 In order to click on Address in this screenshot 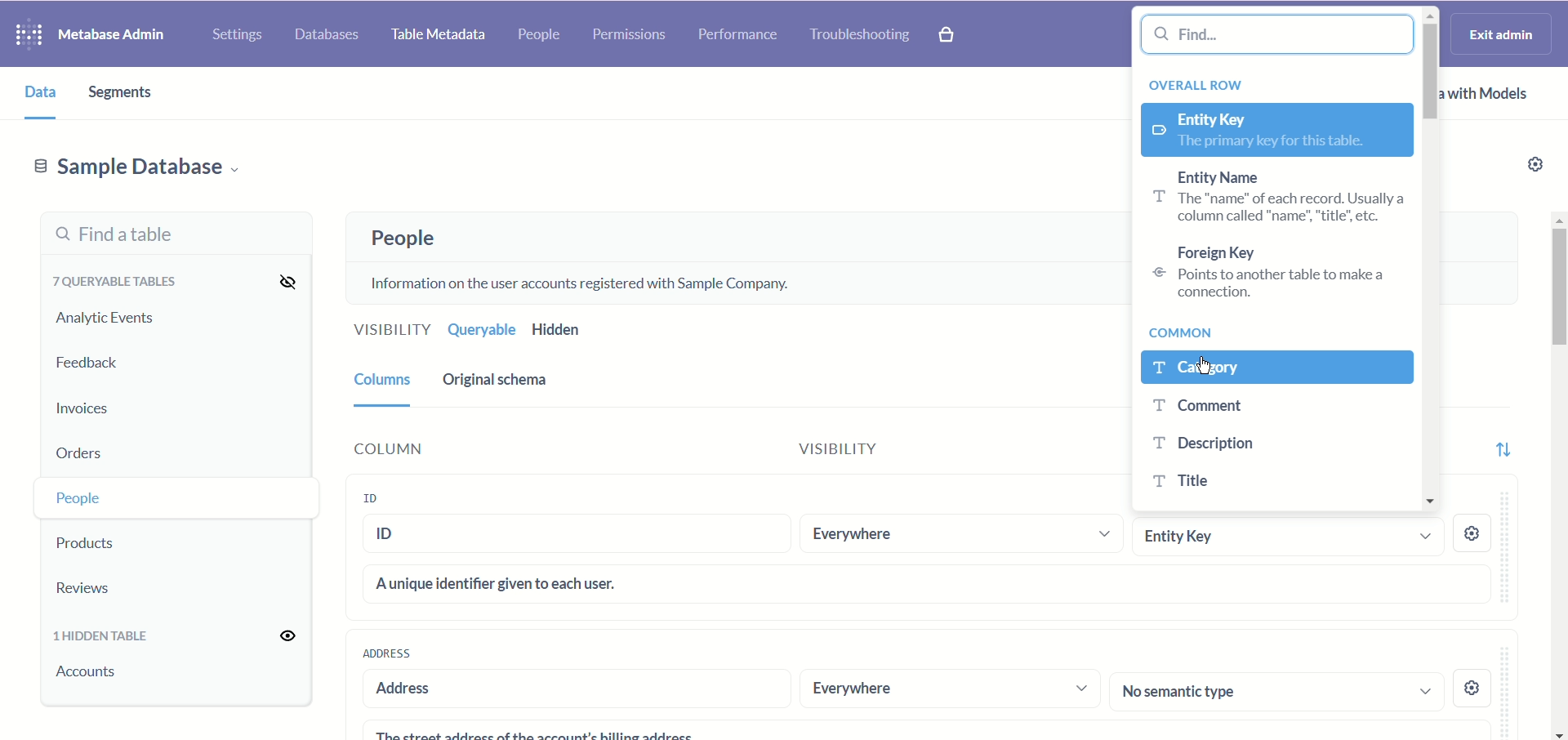, I will do `click(568, 689)`.